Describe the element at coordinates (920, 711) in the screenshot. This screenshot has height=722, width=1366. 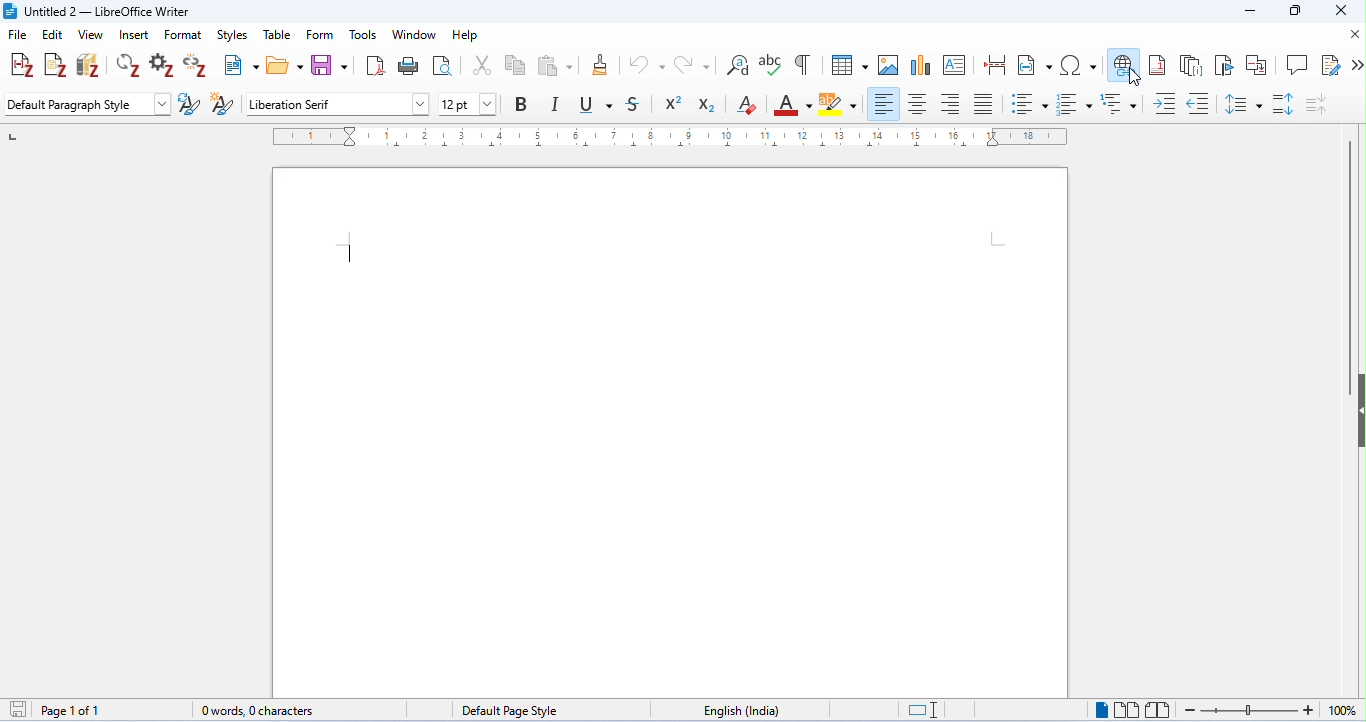
I see `standard selection` at that location.